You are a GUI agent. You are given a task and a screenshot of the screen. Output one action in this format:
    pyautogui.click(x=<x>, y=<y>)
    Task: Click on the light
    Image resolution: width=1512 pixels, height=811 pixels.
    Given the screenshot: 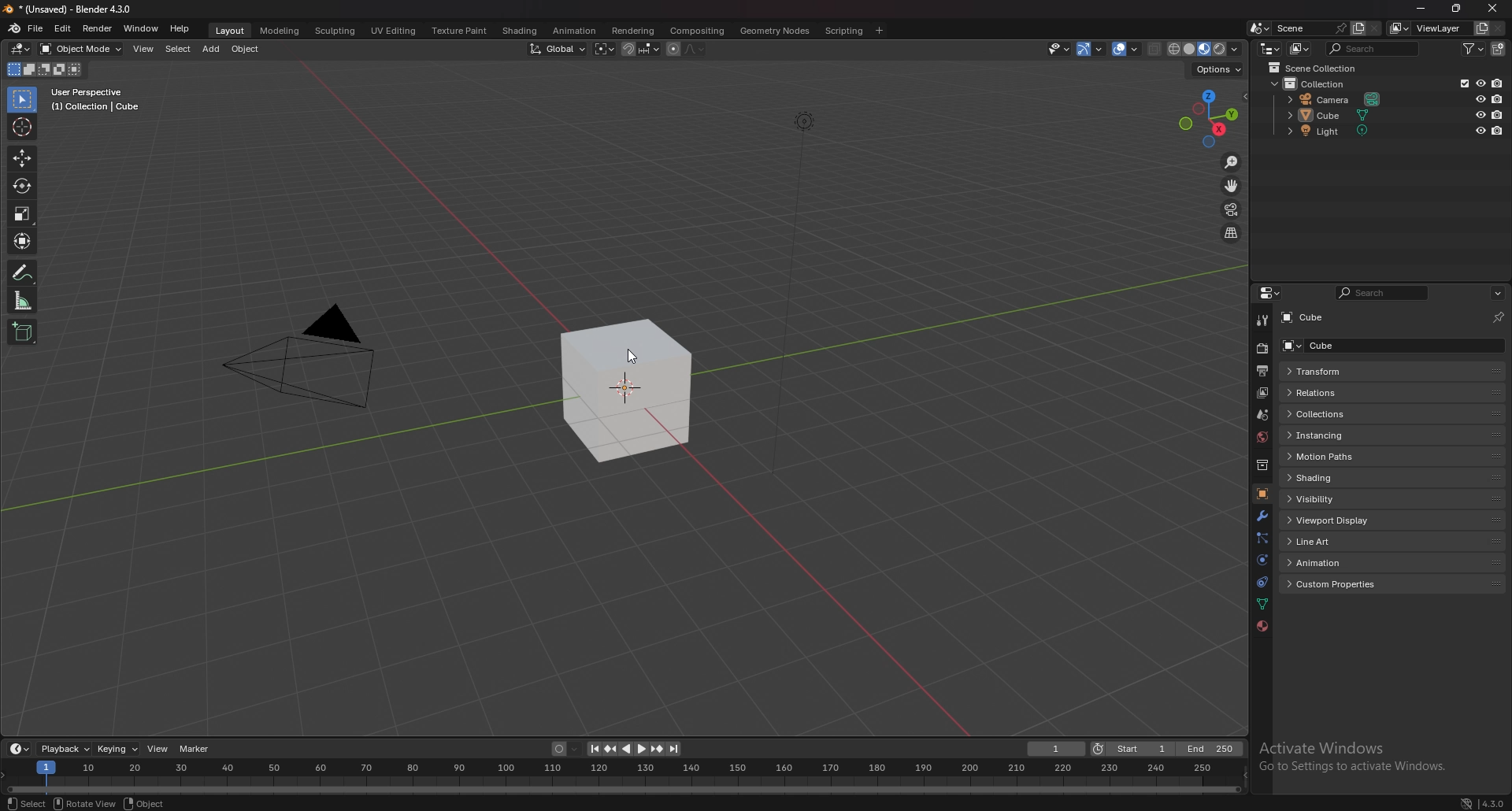 What is the action you would take?
    pyautogui.click(x=1335, y=131)
    